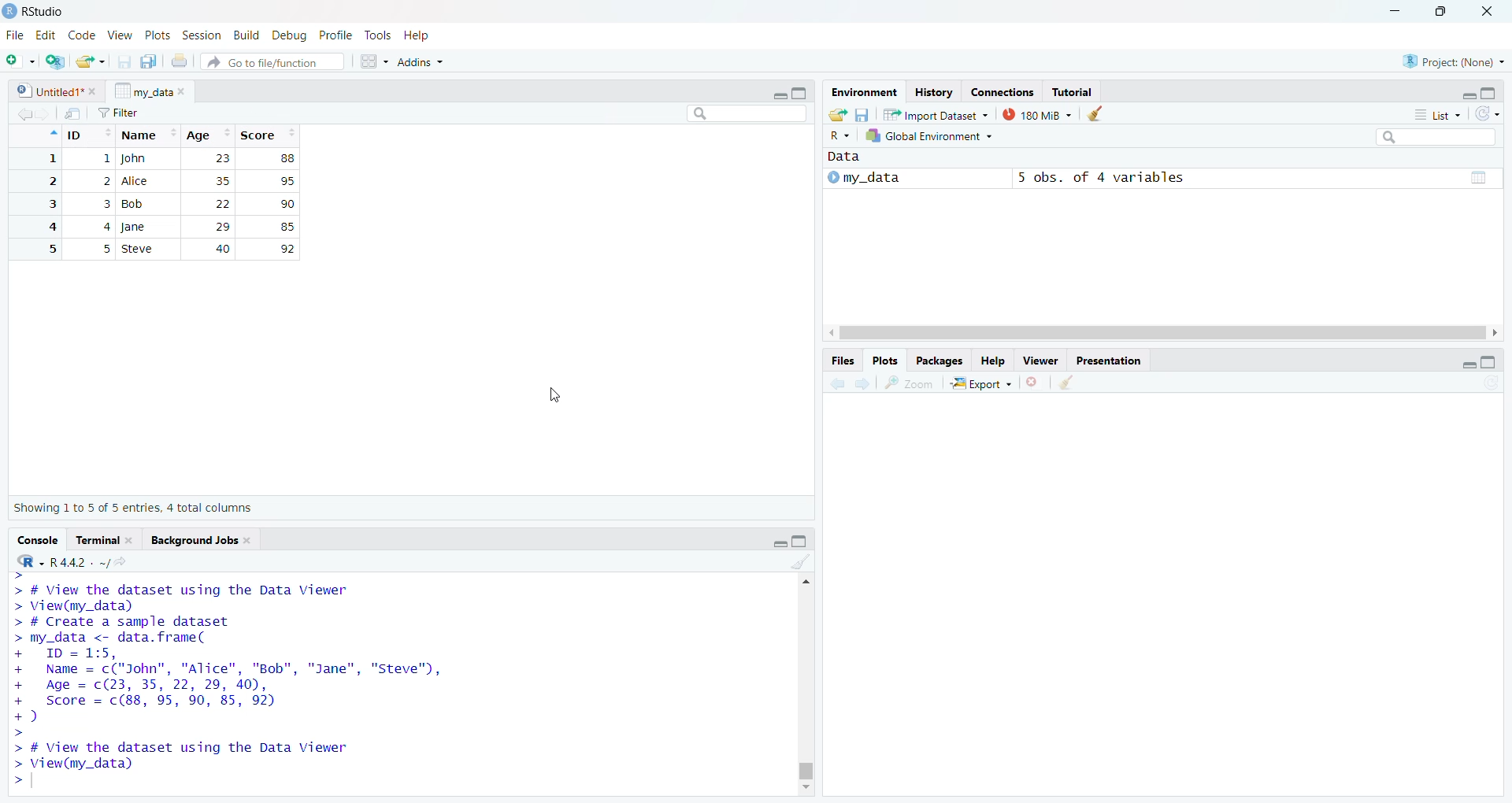 Image resolution: width=1512 pixels, height=803 pixels. What do you see at coordinates (124, 65) in the screenshot?
I see `Save current document` at bounding box center [124, 65].